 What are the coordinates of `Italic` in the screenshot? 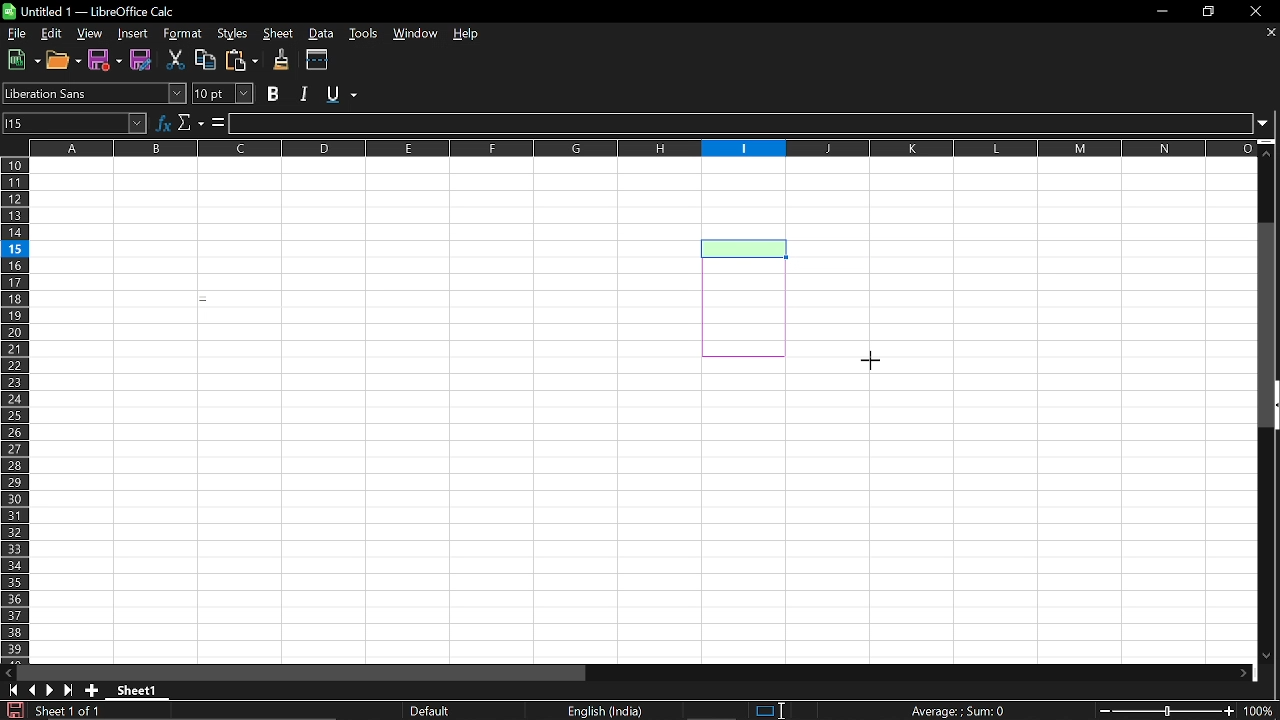 It's located at (304, 93).